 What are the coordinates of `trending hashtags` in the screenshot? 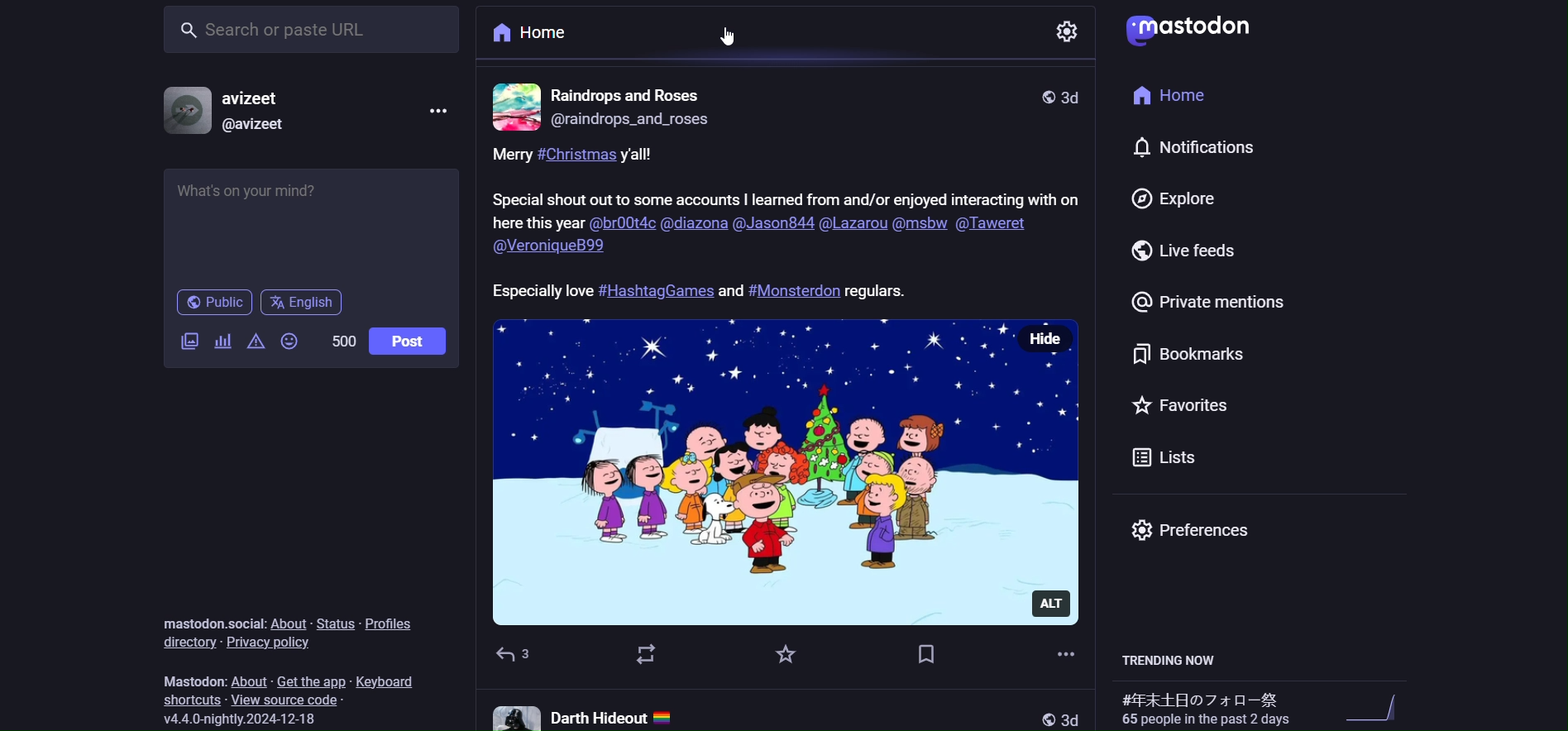 It's located at (1210, 709).